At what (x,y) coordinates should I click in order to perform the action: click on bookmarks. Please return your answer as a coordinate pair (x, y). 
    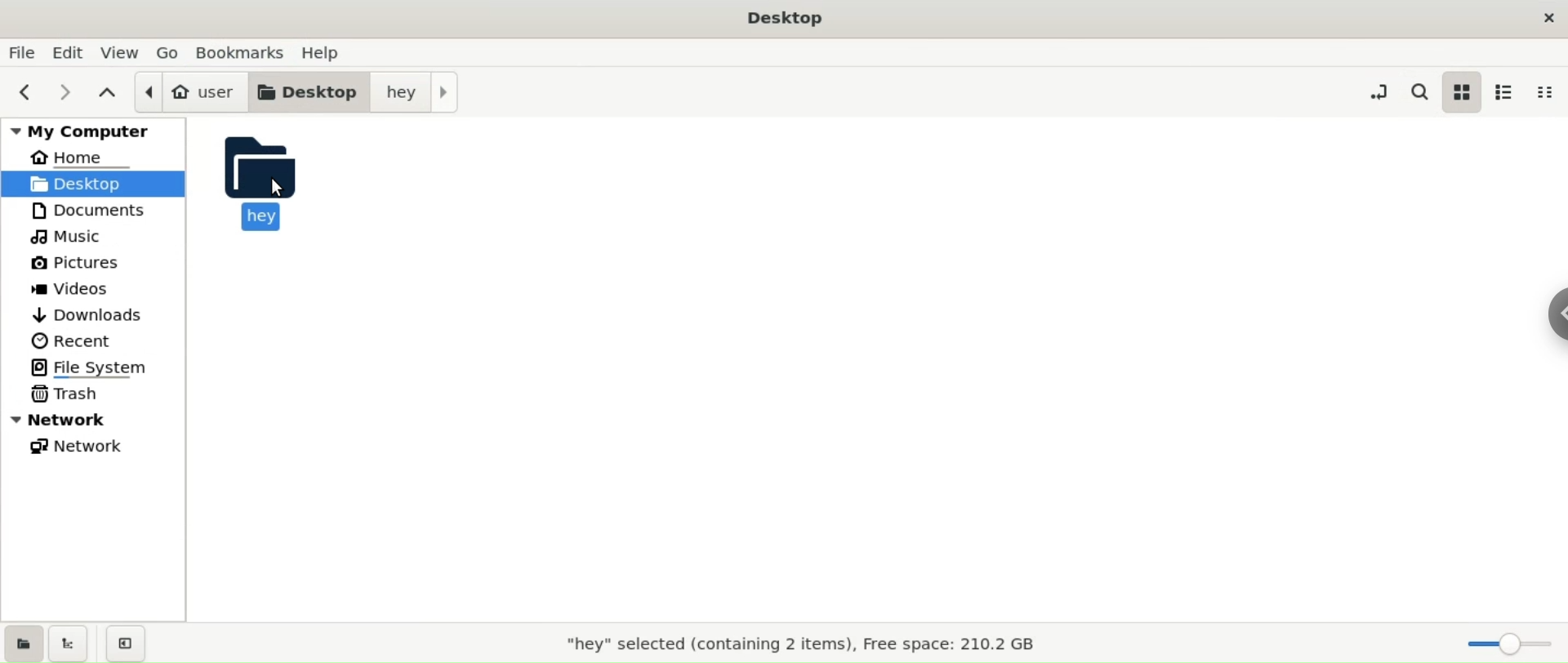
    Looking at the image, I should click on (240, 52).